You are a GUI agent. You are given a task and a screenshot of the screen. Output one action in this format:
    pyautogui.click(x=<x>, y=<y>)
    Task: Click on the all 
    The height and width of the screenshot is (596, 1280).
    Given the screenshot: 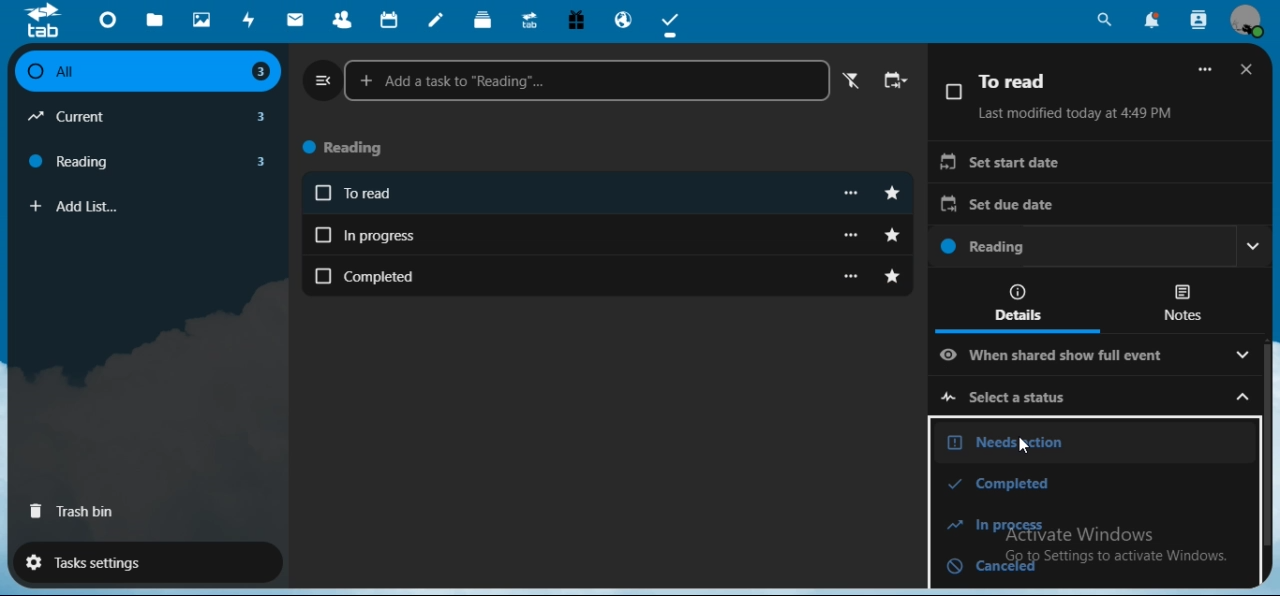 What is the action you would take?
    pyautogui.click(x=146, y=72)
    